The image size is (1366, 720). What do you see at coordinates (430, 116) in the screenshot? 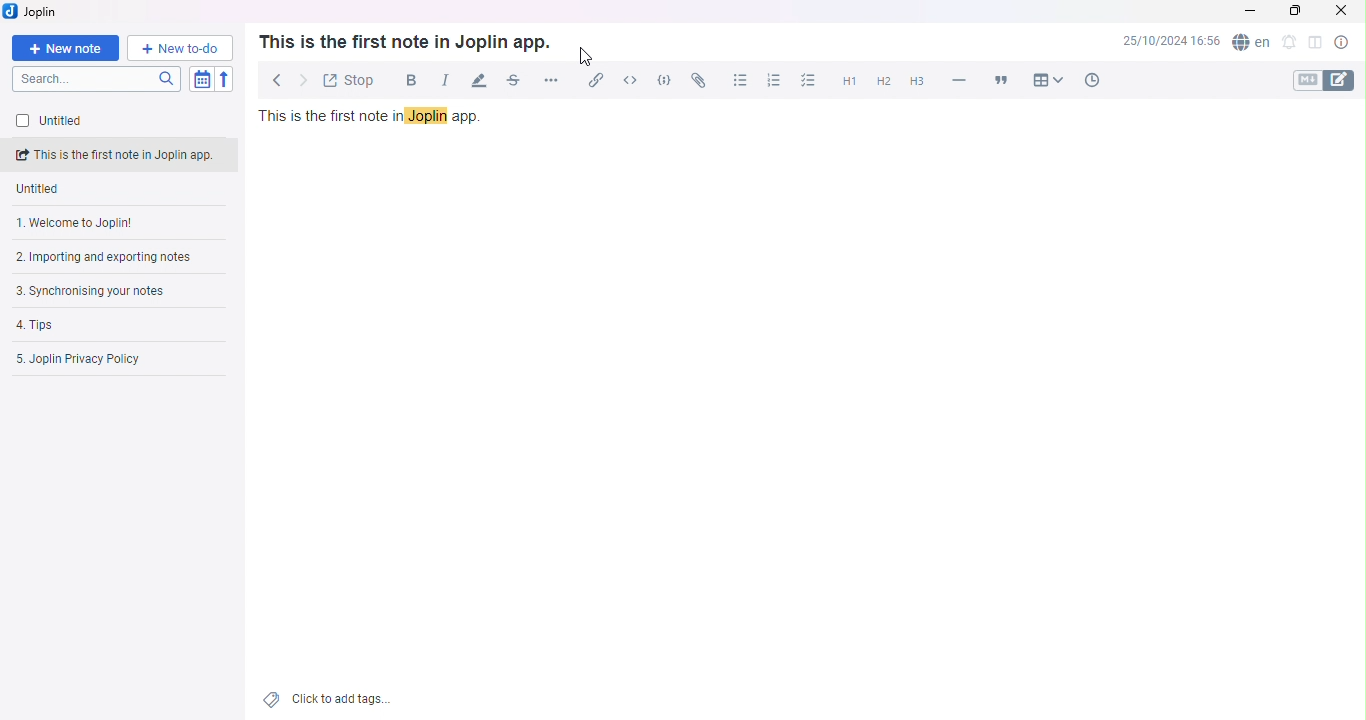
I see `Highlighted text` at bounding box center [430, 116].